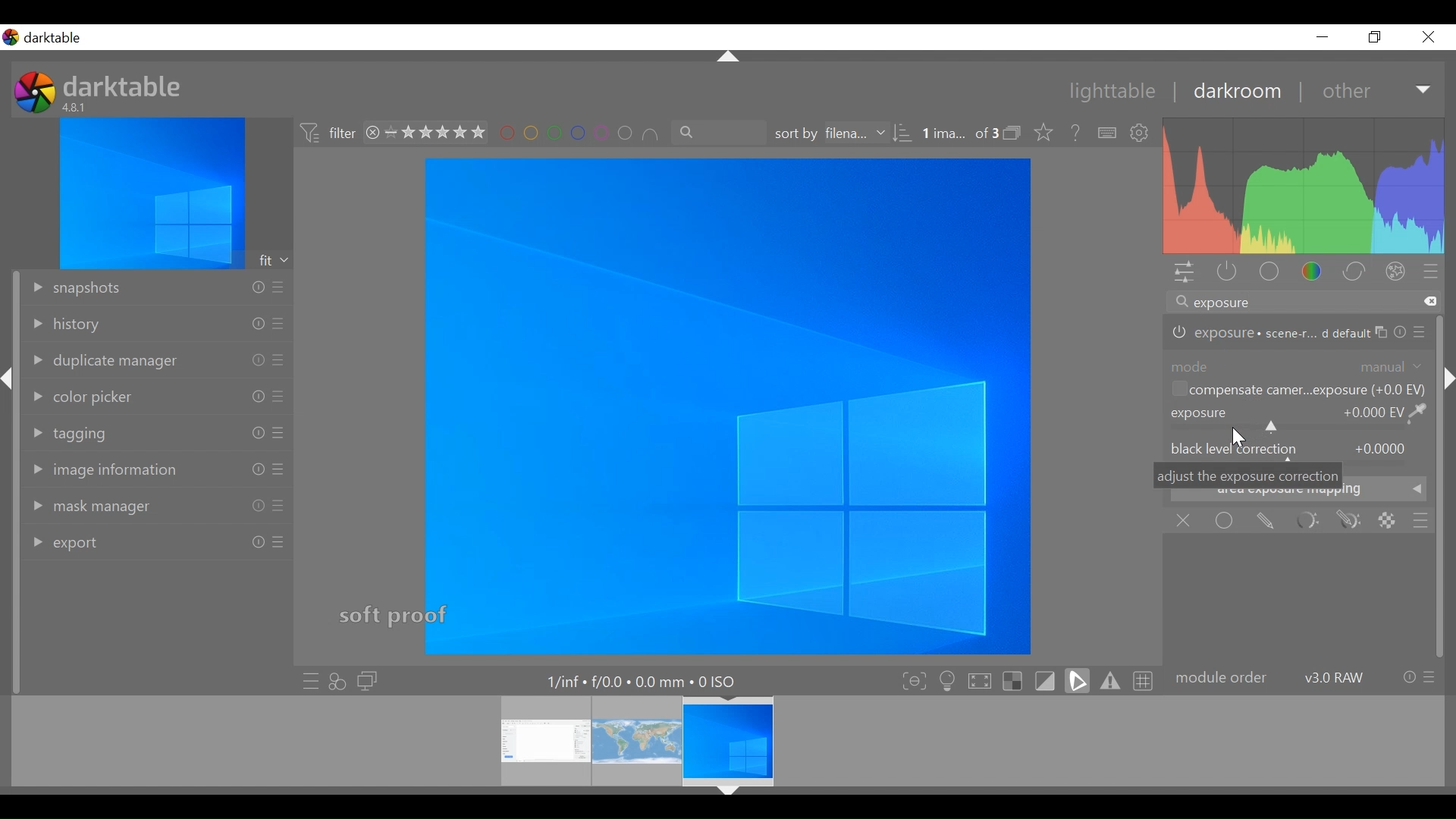 The image size is (1456, 819). I want to click on toggle focus-peaking mode, so click(911, 680).